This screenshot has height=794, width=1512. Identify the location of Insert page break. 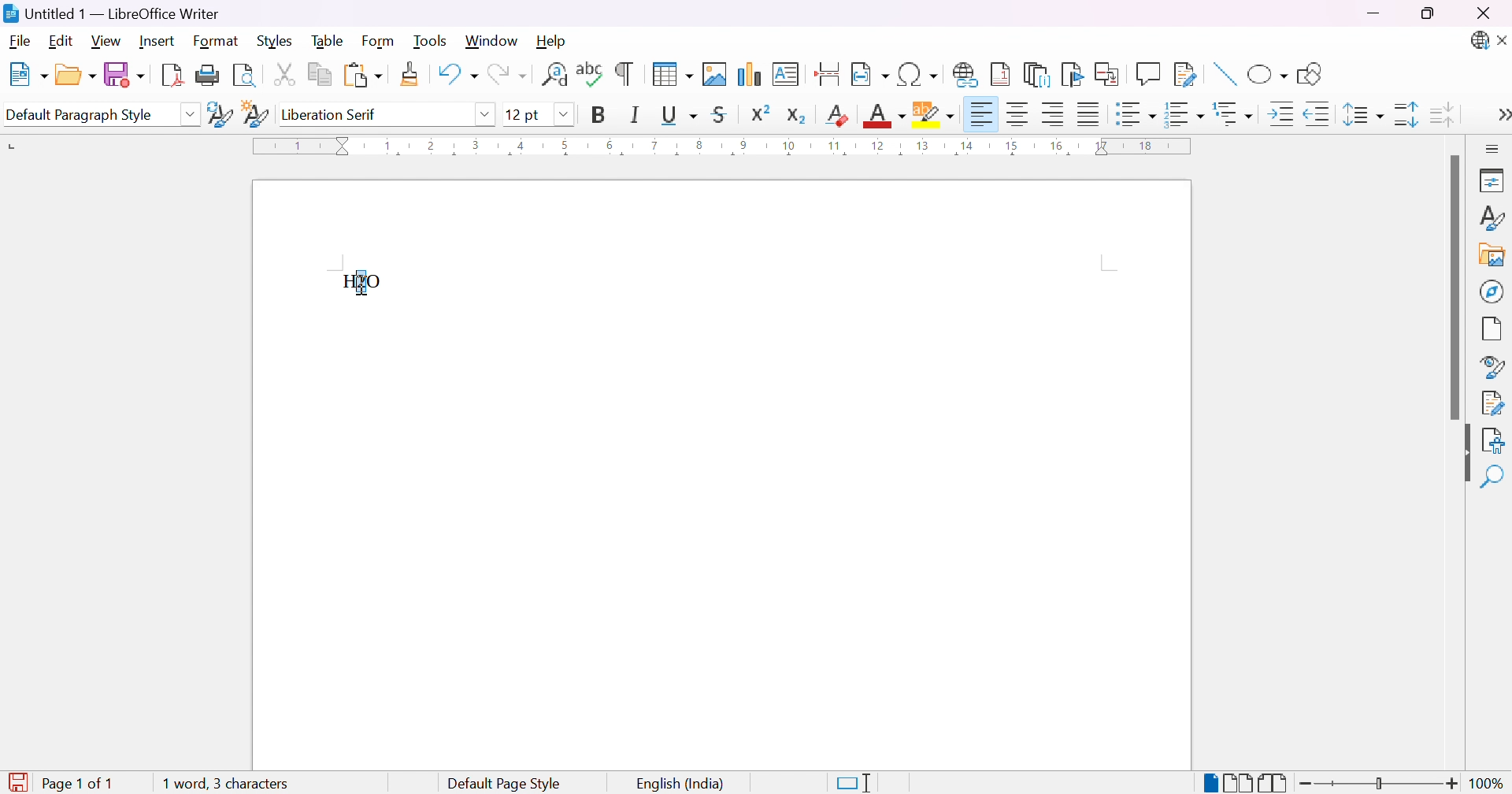
(829, 74).